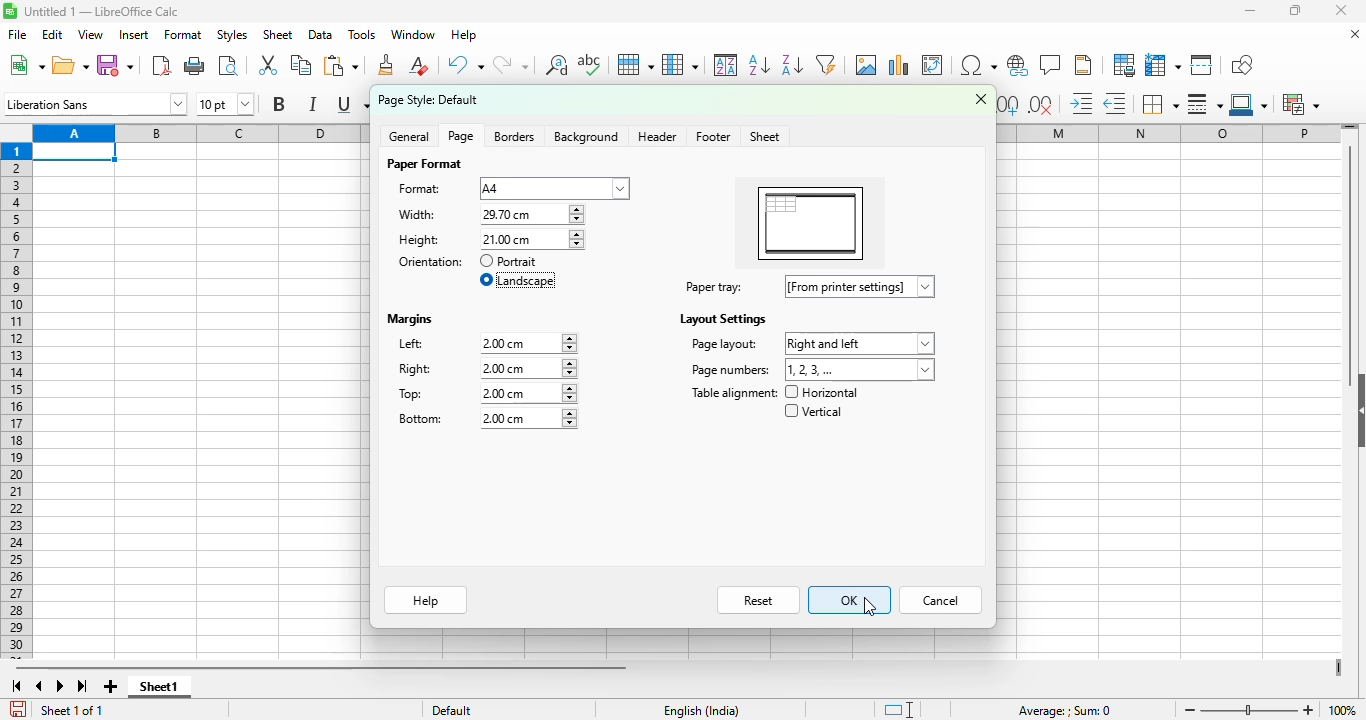  What do you see at coordinates (279, 103) in the screenshot?
I see `bold` at bounding box center [279, 103].